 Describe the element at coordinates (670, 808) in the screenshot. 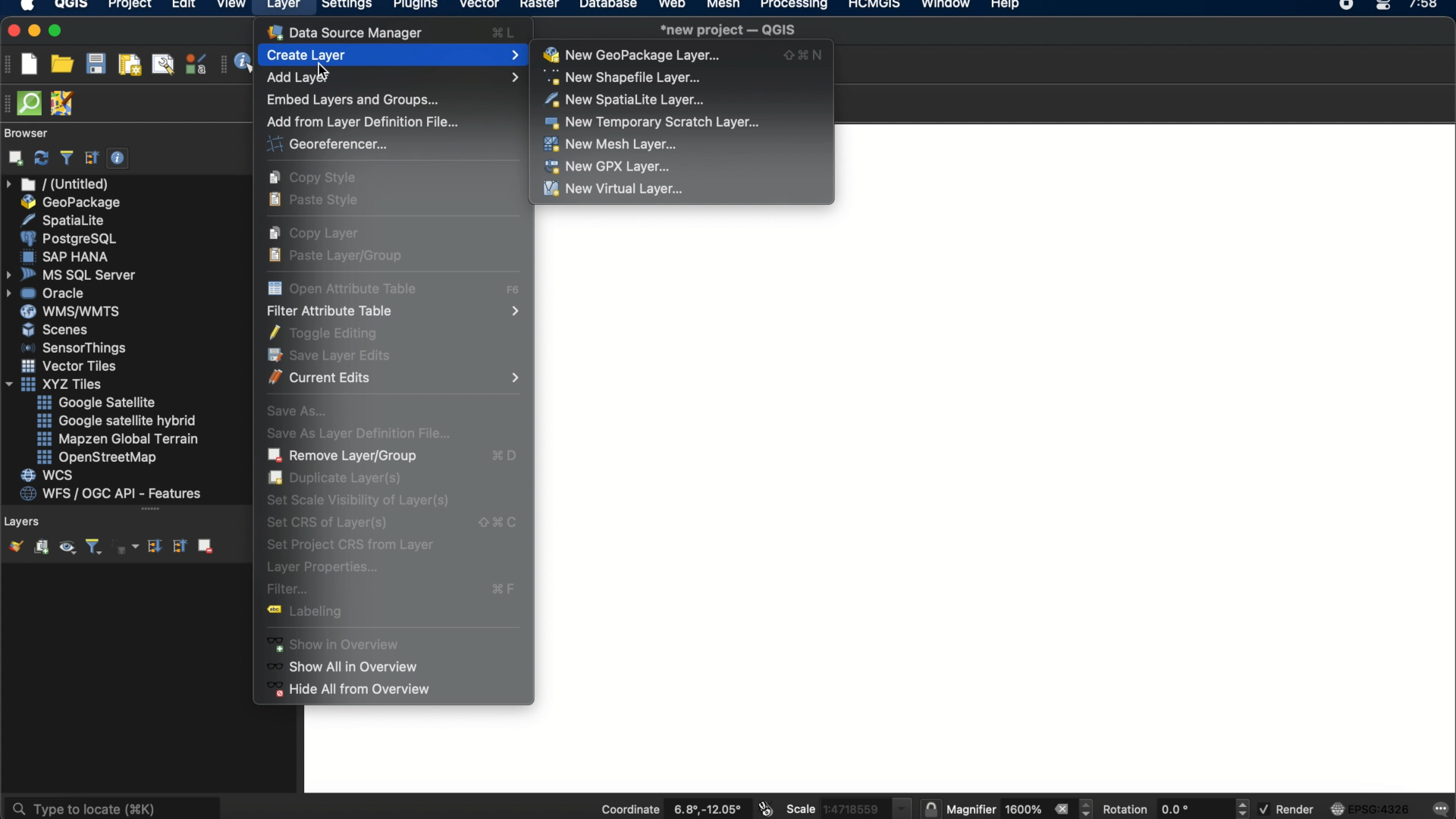

I see `coordinate 6.8, -12.05` at that location.